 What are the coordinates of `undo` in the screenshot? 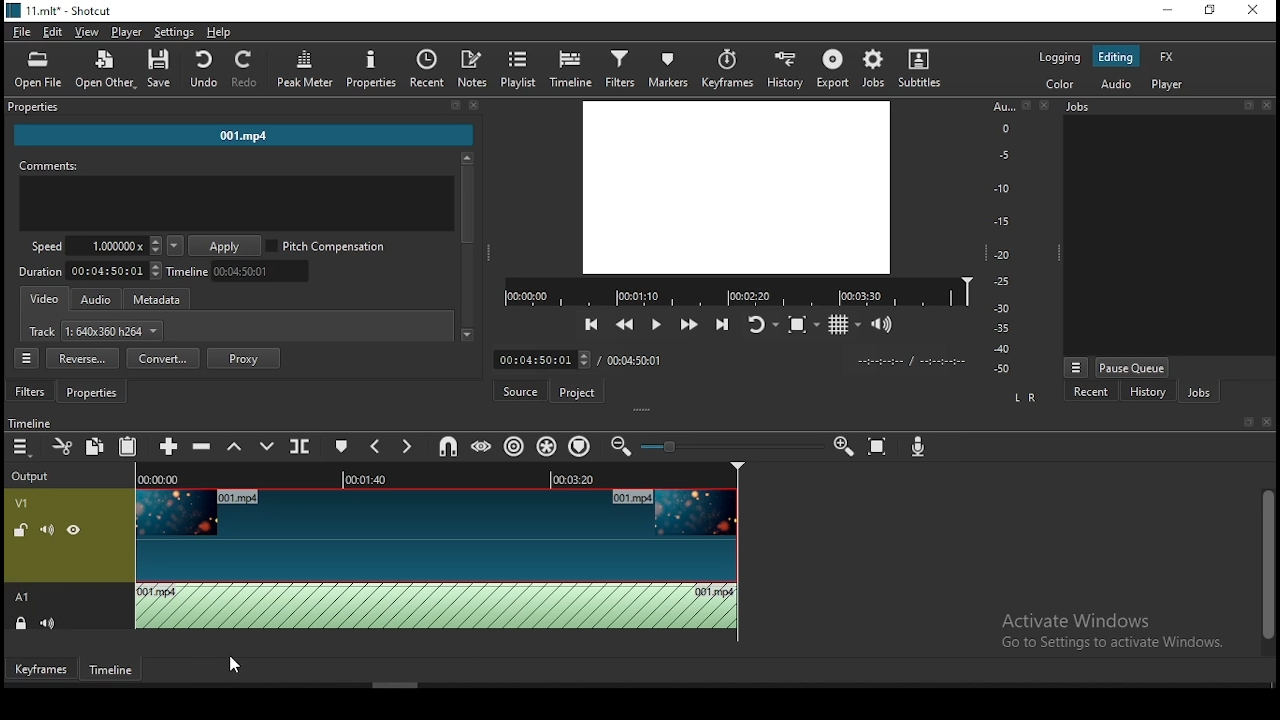 It's located at (205, 70).